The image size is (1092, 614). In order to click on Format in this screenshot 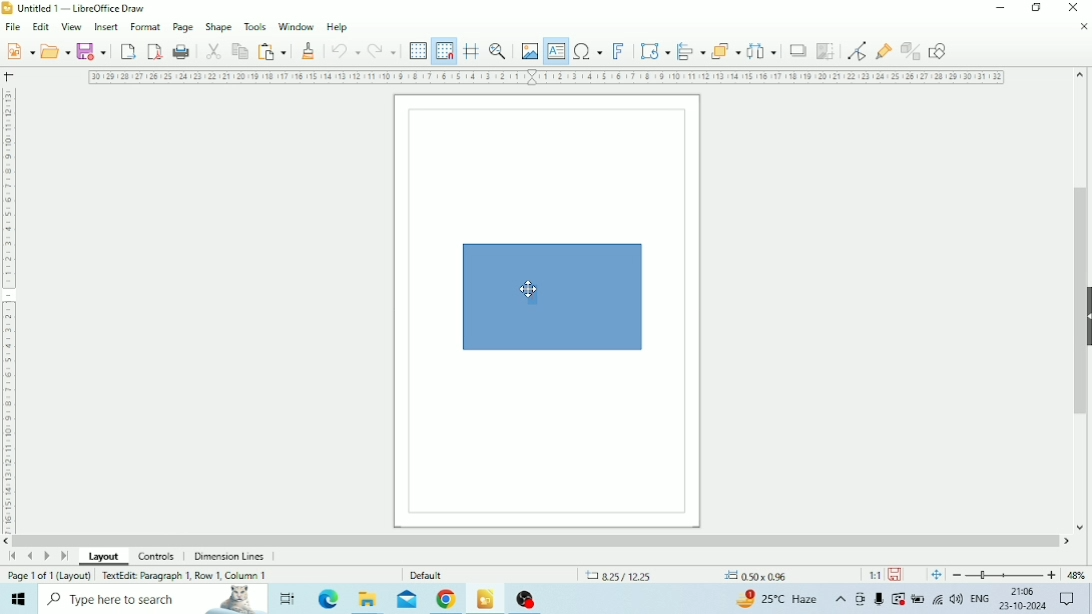, I will do `click(145, 26)`.